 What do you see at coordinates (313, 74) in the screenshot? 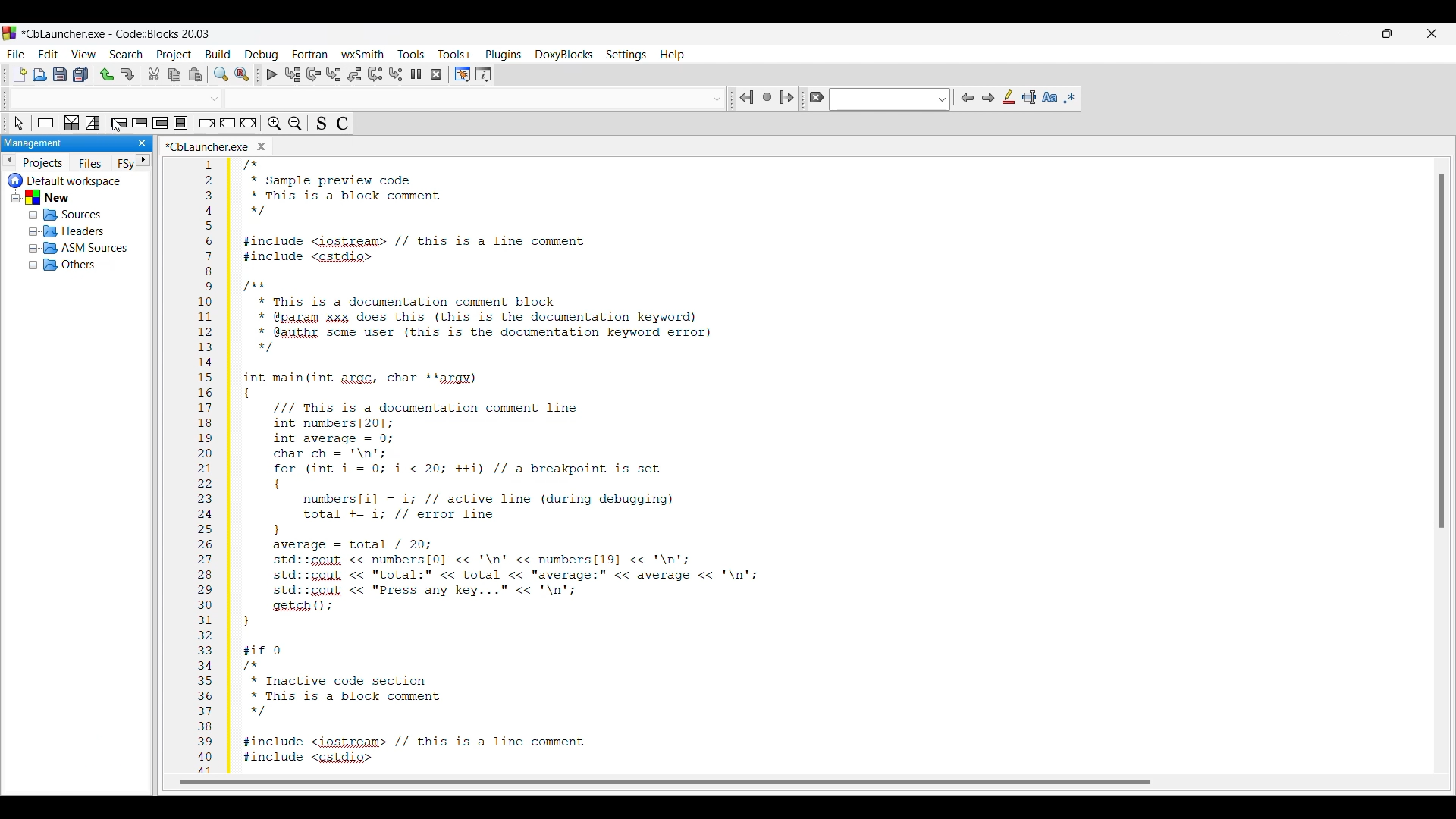
I see `Next line` at bounding box center [313, 74].